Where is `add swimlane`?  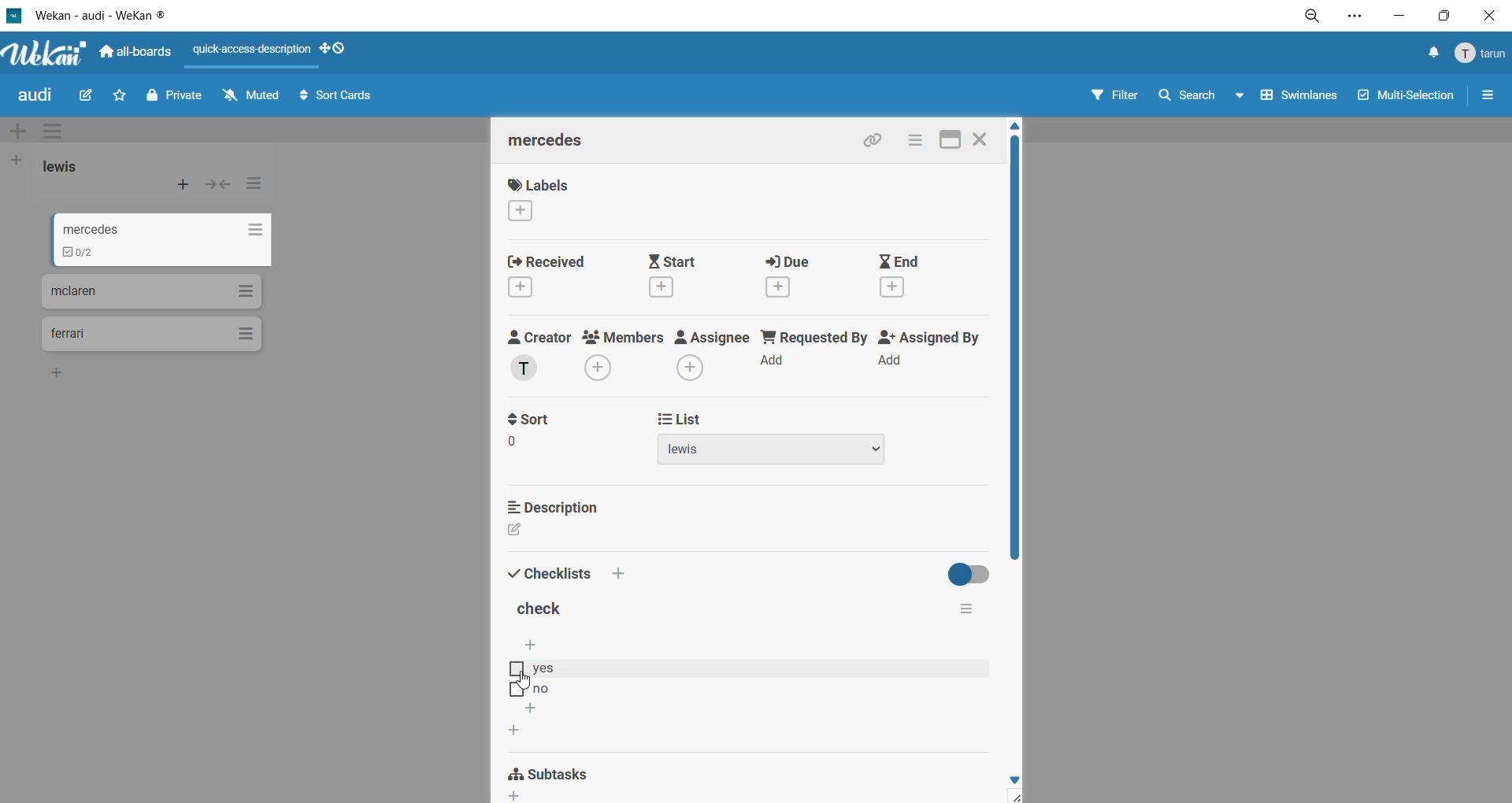 add swimlane is located at coordinates (24, 131).